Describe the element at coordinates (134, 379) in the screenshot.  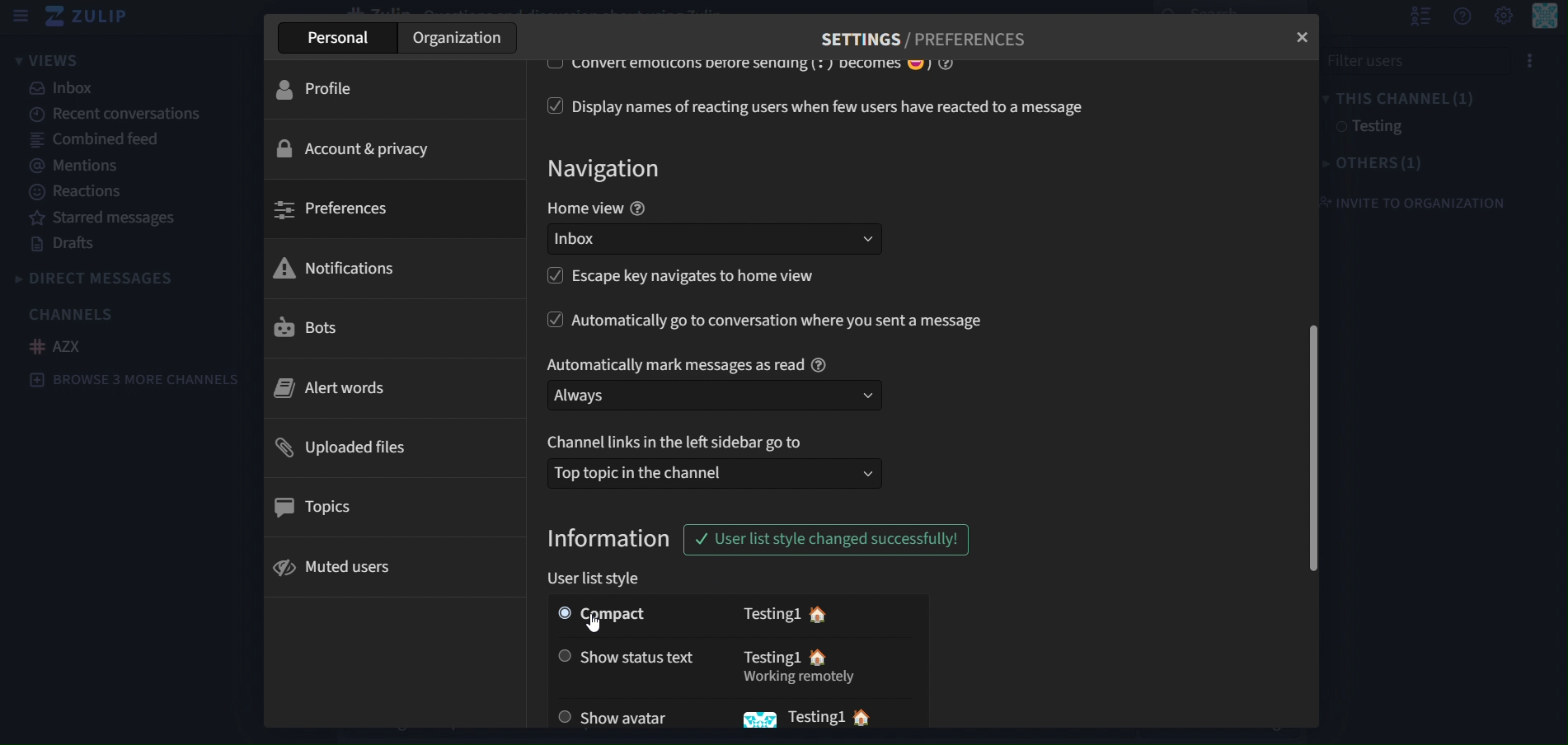
I see `Browse 3 more channels` at that location.